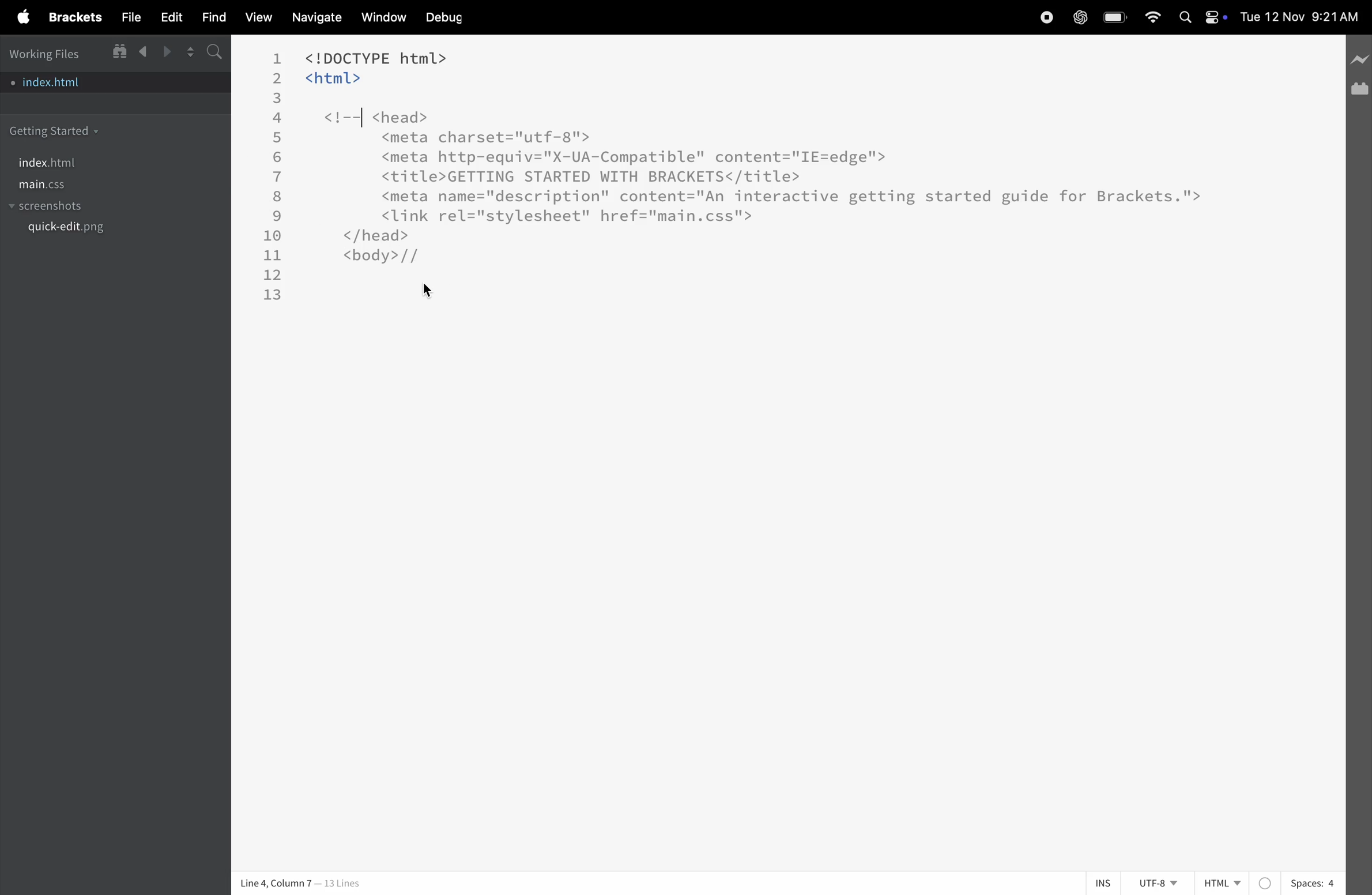  Describe the element at coordinates (270, 180) in the screenshot. I see `line number` at that location.